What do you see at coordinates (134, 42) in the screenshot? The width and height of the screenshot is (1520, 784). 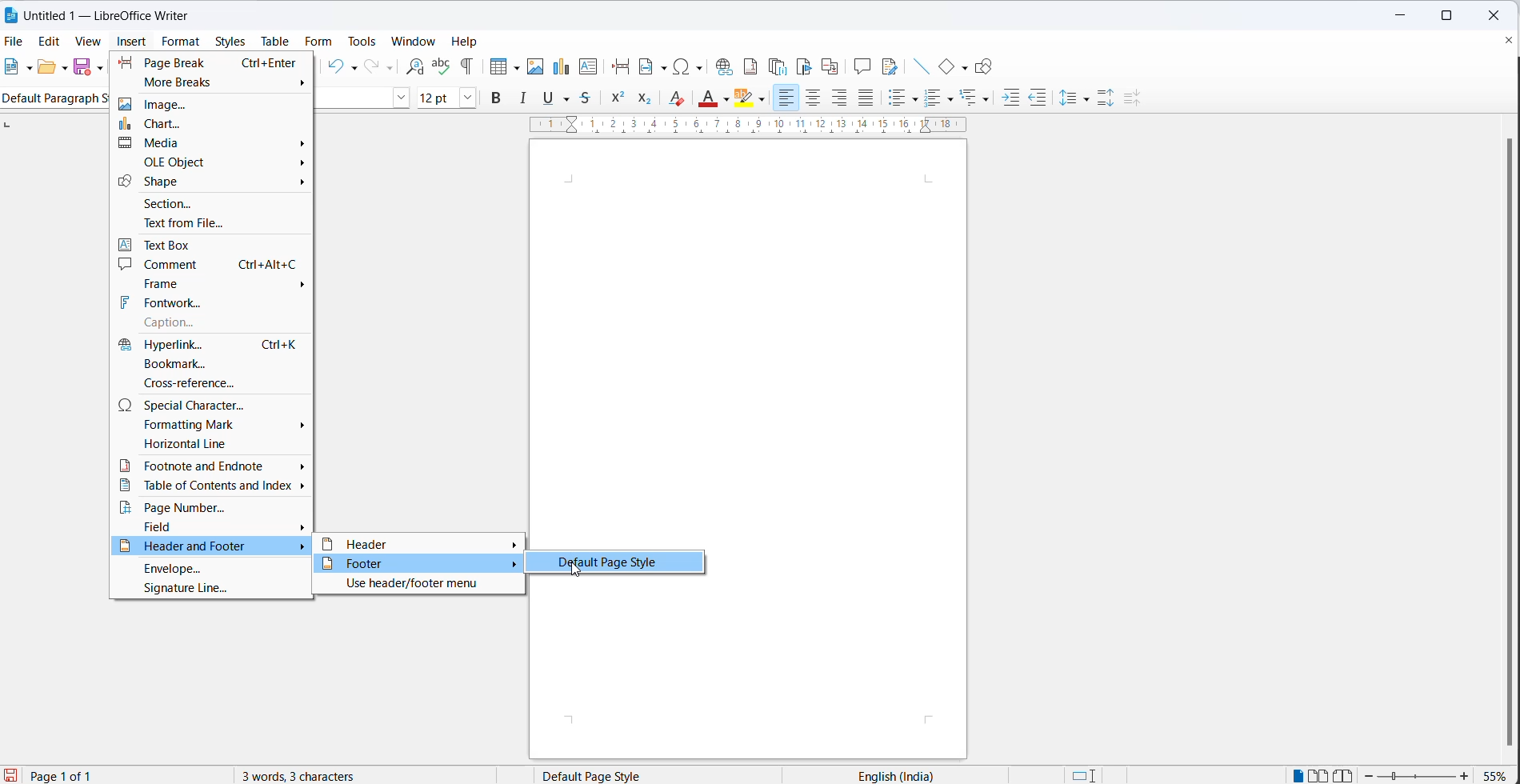 I see `insert` at bounding box center [134, 42].